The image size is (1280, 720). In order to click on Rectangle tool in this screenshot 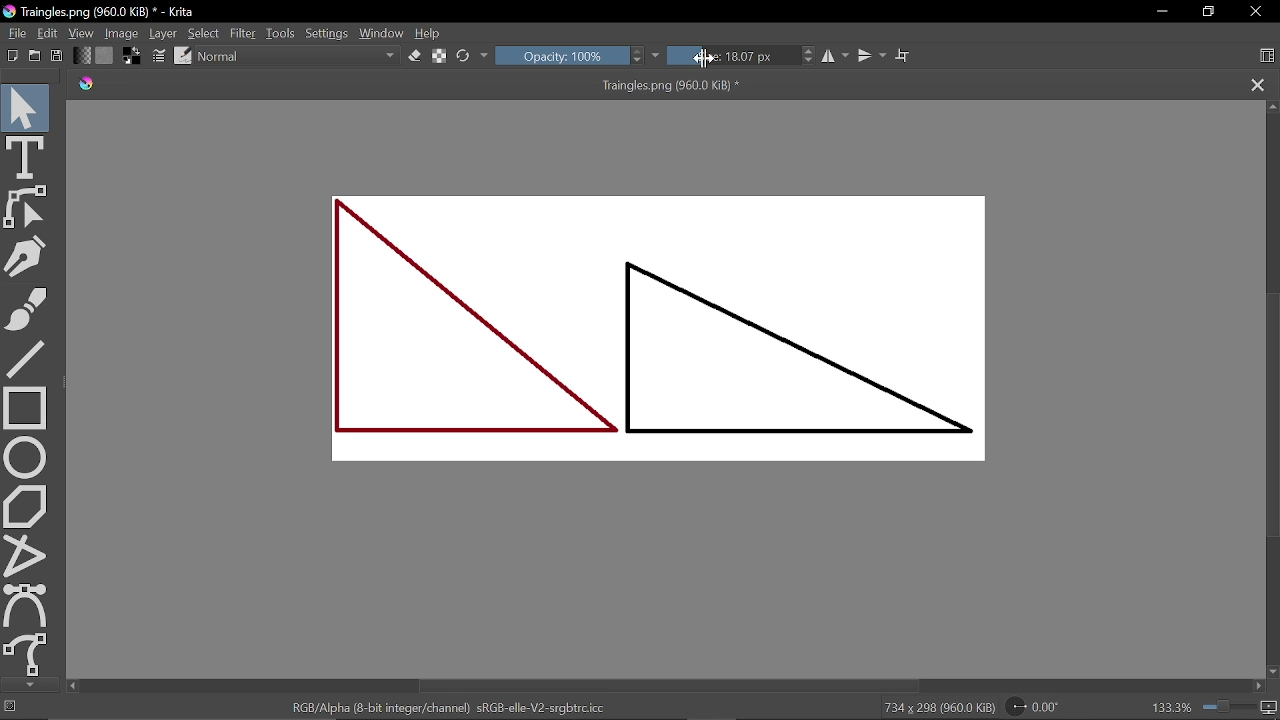, I will do `click(29, 408)`.